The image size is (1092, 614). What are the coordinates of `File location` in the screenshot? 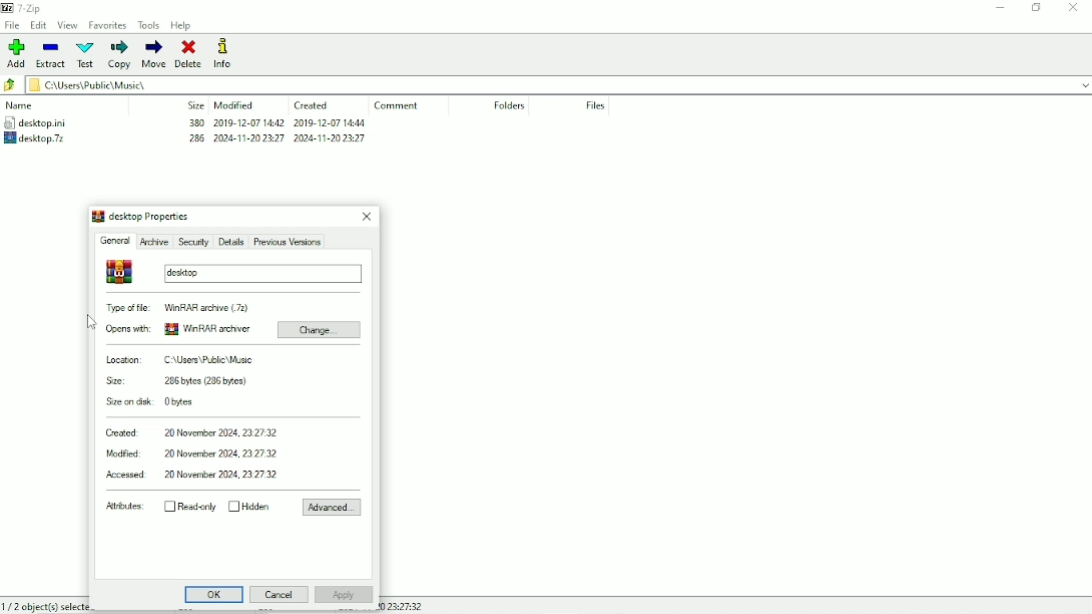 It's located at (559, 85).